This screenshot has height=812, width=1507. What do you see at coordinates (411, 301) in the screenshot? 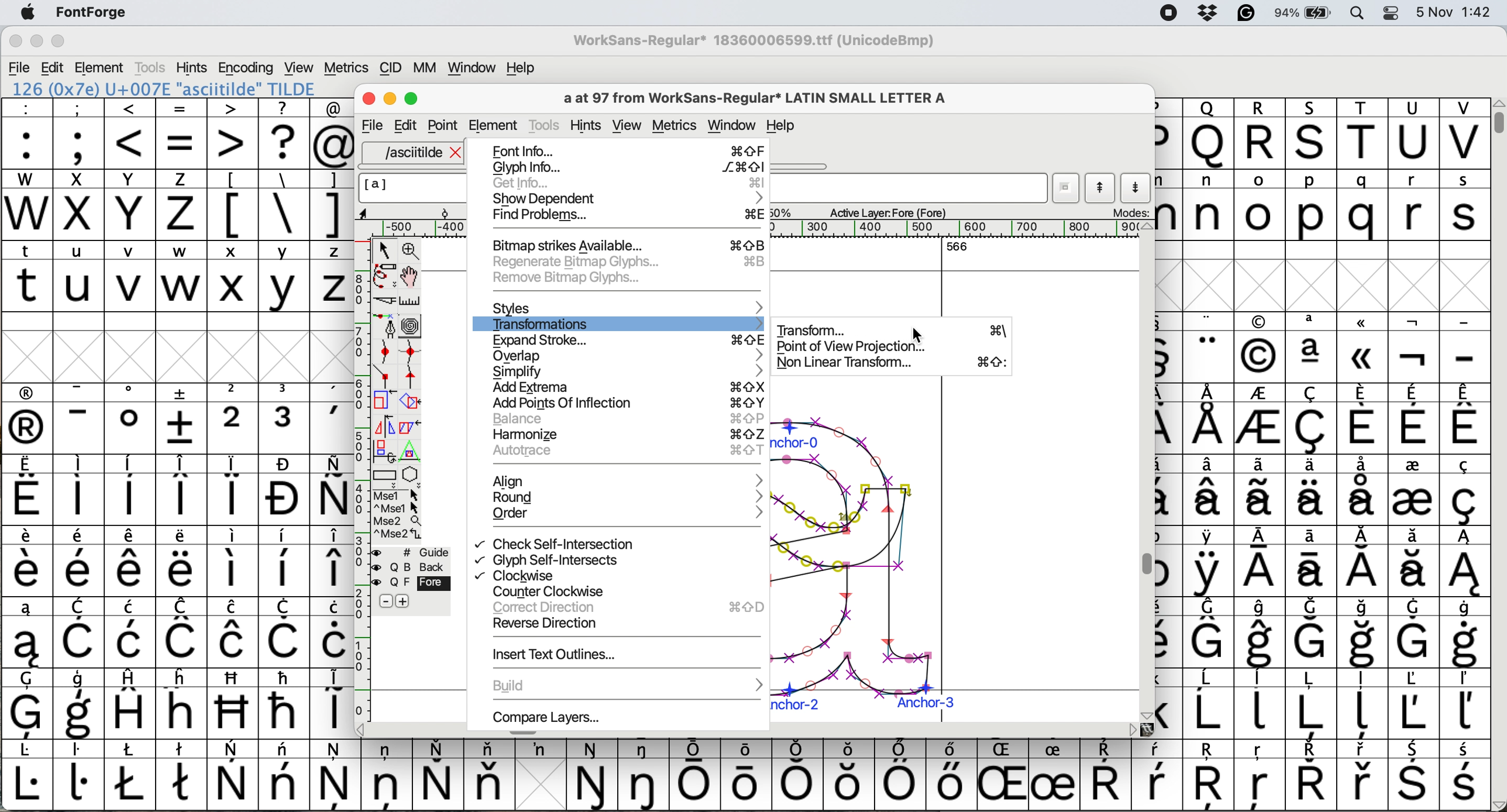
I see `measure distance` at bounding box center [411, 301].